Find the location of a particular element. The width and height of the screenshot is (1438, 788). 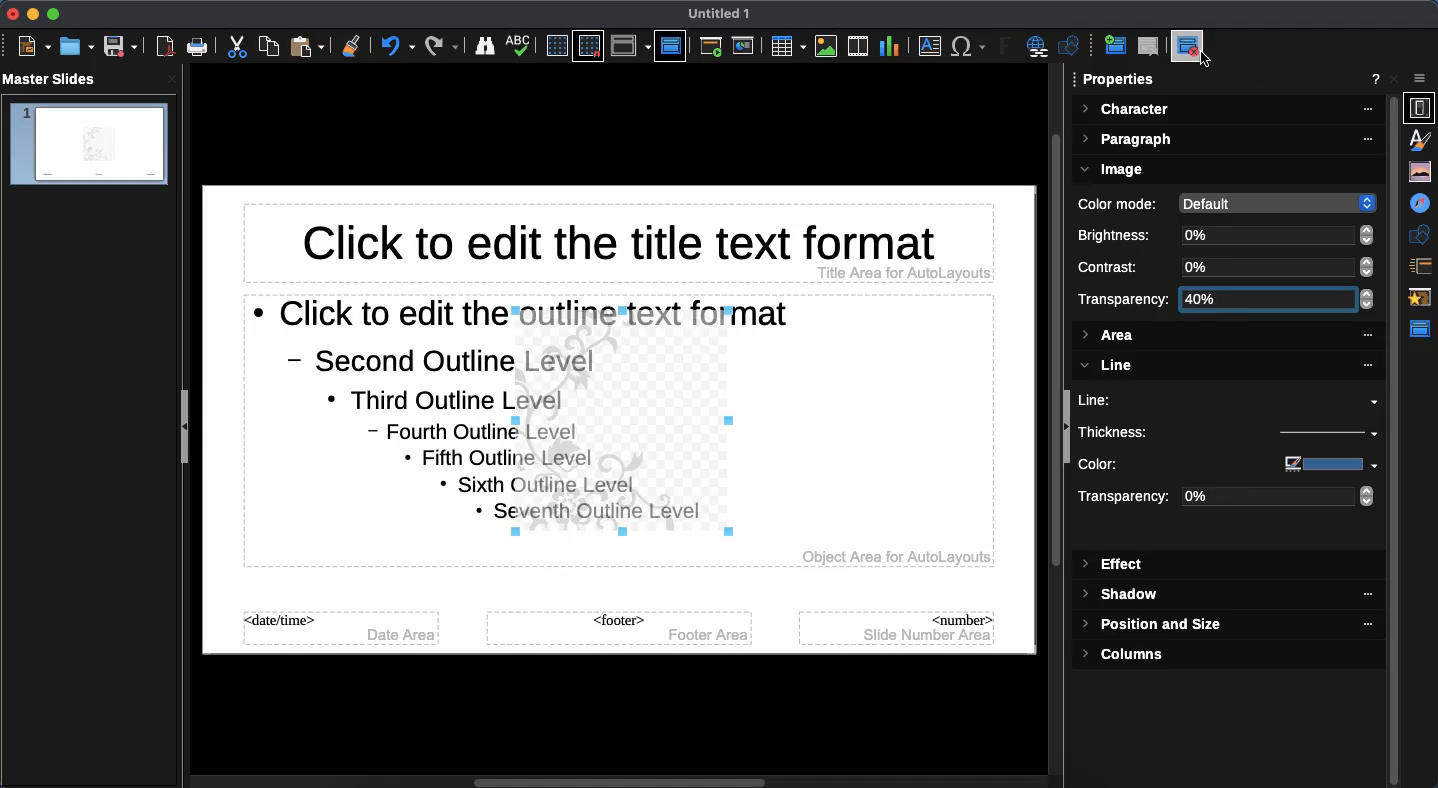

''' is located at coordinates (1356, 625).